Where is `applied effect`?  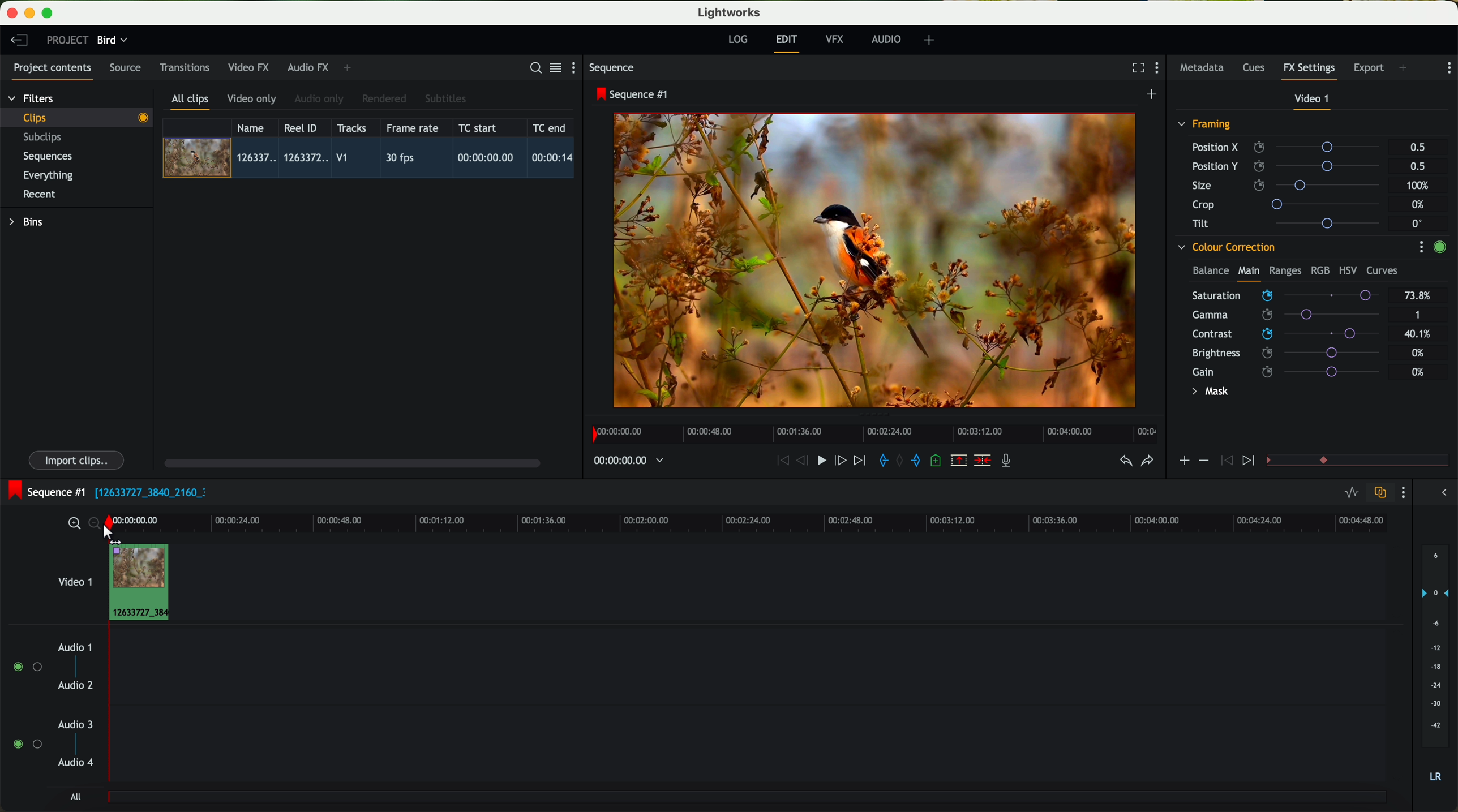 applied effect is located at coordinates (877, 260).